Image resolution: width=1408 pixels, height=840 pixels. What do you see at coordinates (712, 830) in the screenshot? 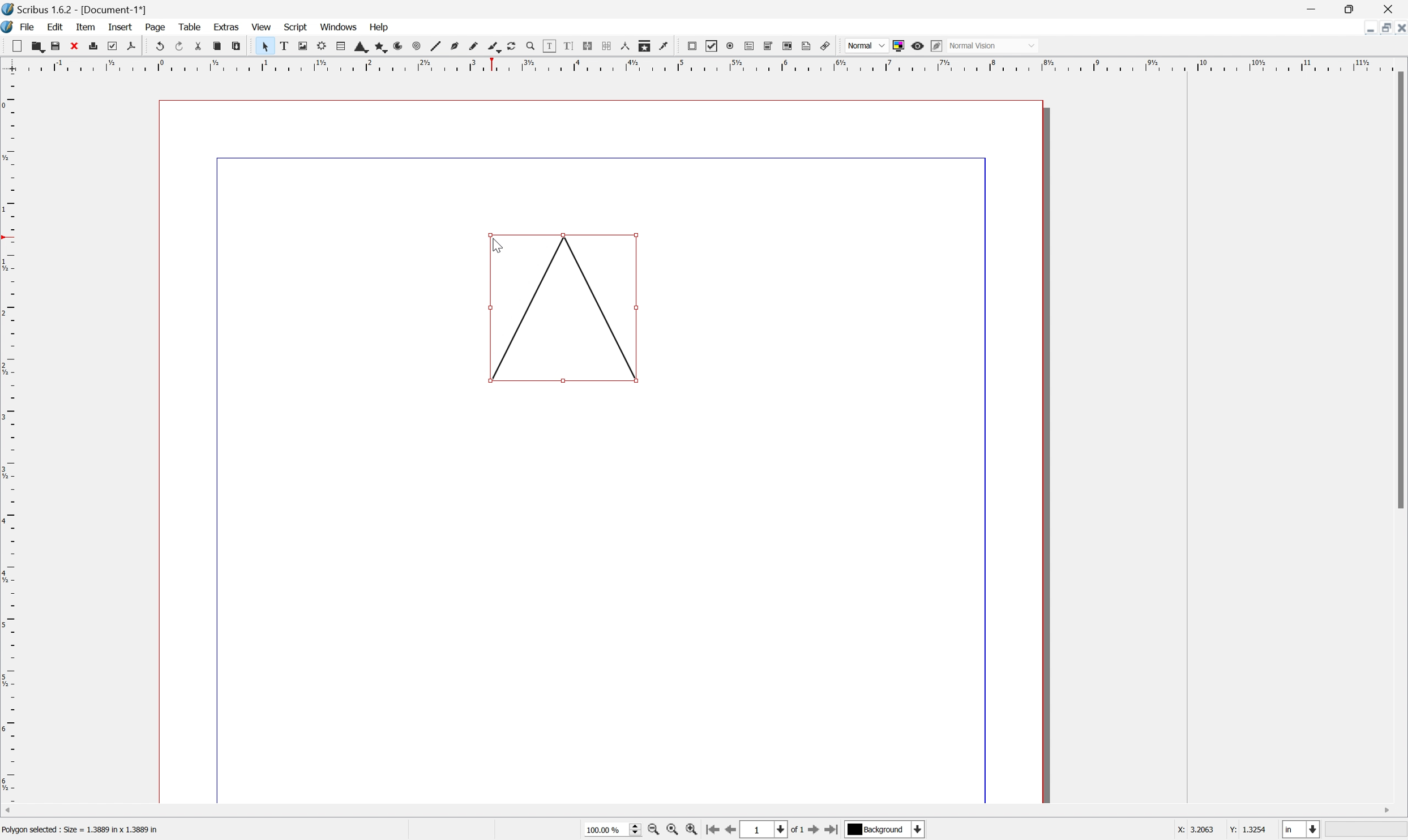
I see `Go to first page` at bounding box center [712, 830].